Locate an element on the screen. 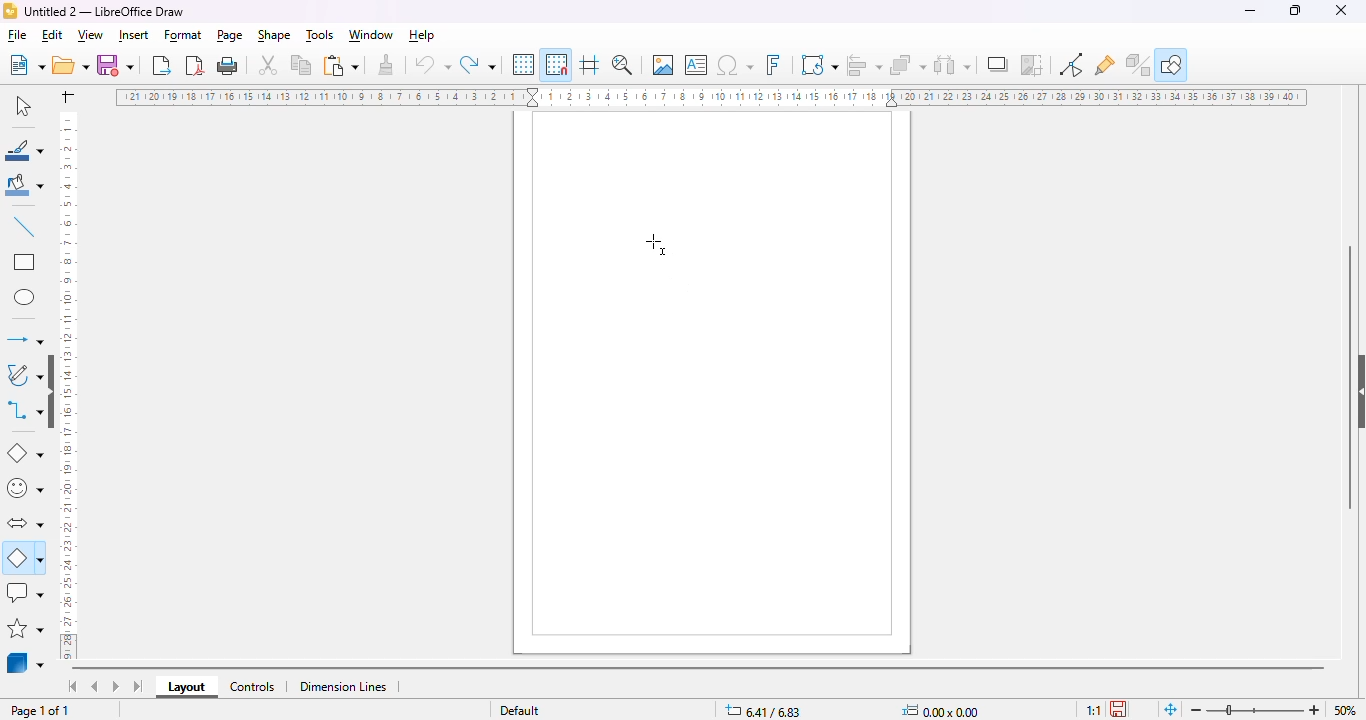  simple shapes is located at coordinates (26, 488).